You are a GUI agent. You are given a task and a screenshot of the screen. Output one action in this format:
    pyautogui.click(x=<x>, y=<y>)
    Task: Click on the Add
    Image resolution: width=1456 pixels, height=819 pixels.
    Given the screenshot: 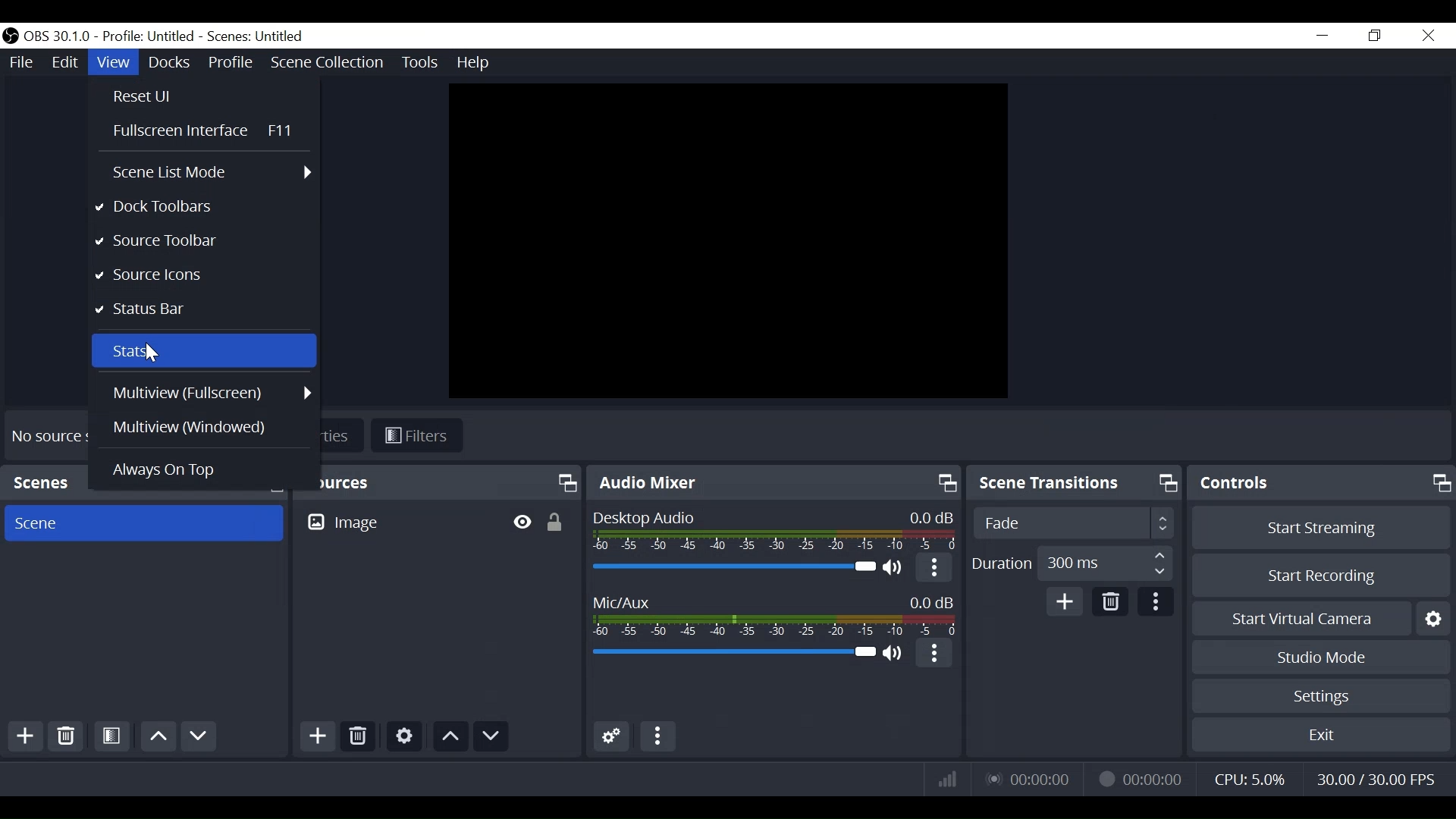 What is the action you would take?
    pyautogui.click(x=28, y=739)
    